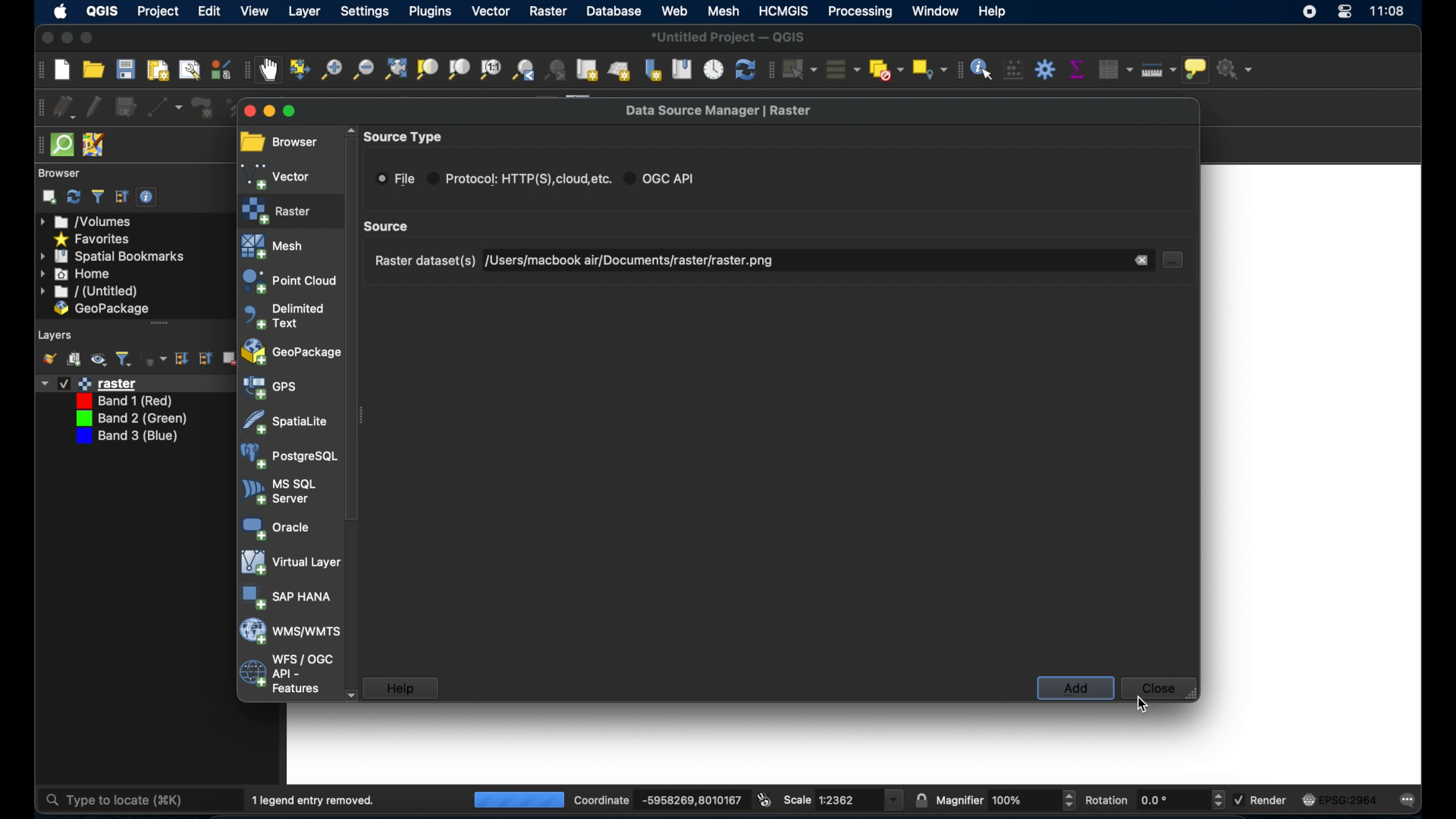  I want to click on deselect features from all layers, so click(884, 69).